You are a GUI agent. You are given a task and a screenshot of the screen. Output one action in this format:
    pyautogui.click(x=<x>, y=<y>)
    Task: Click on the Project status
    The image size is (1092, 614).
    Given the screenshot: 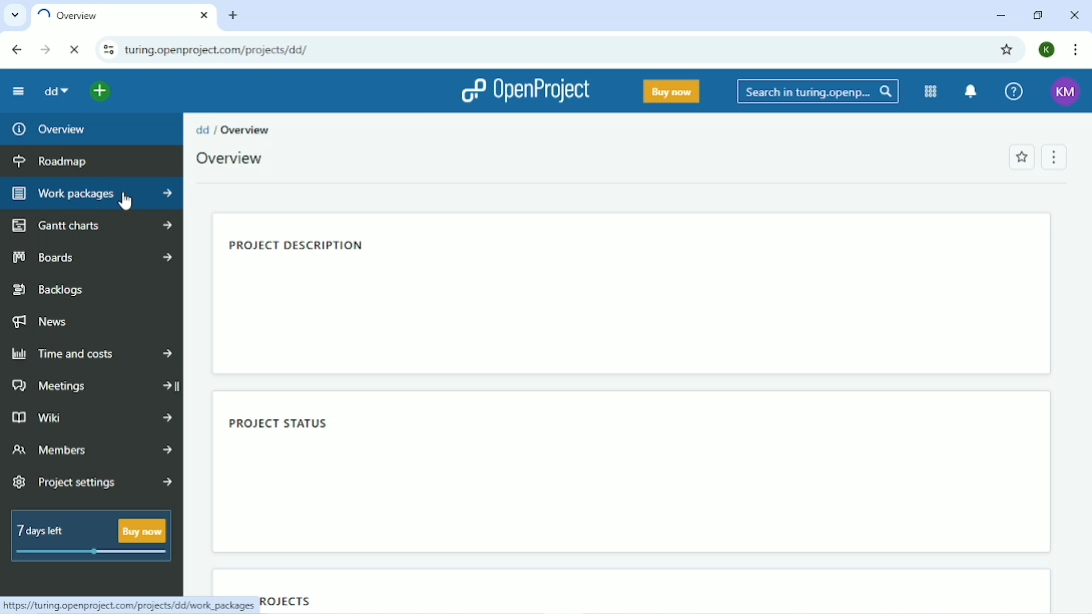 What is the action you would take?
    pyautogui.click(x=276, y=424)
    